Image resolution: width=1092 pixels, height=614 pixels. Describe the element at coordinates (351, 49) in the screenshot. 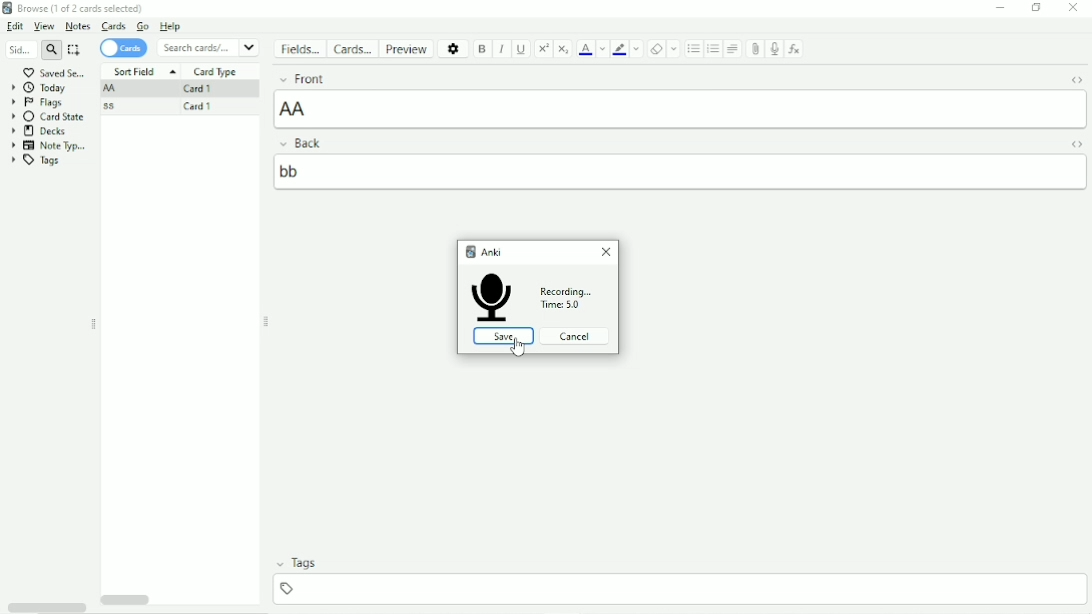

I see `Cards` at that location.